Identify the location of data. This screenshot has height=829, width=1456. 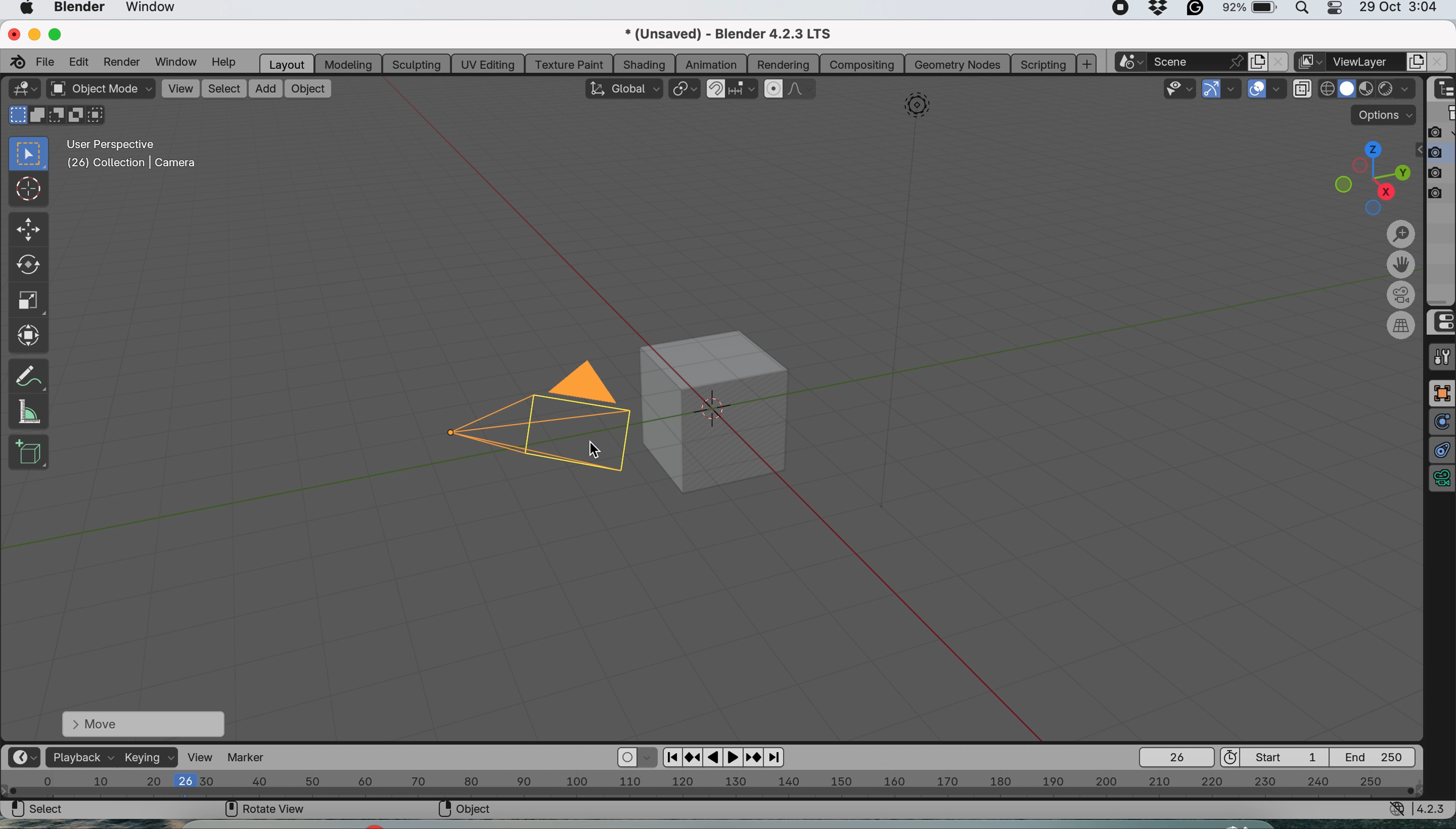
(1441, 481).